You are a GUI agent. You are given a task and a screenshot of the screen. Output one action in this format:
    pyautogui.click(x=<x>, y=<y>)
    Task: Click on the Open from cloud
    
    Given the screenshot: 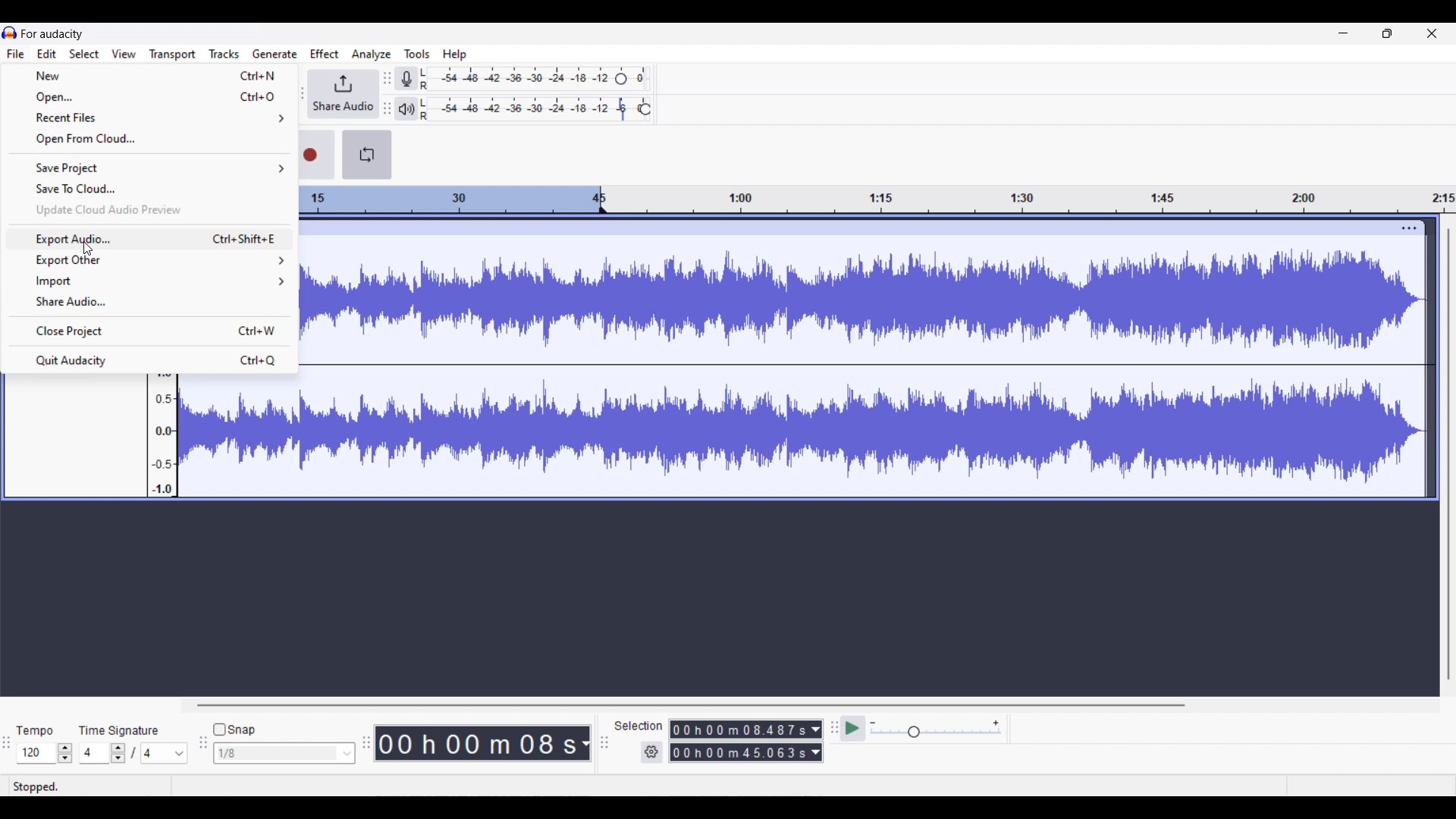 What is the action you would take?
    pyautogui.click(x=149, y=140)
    